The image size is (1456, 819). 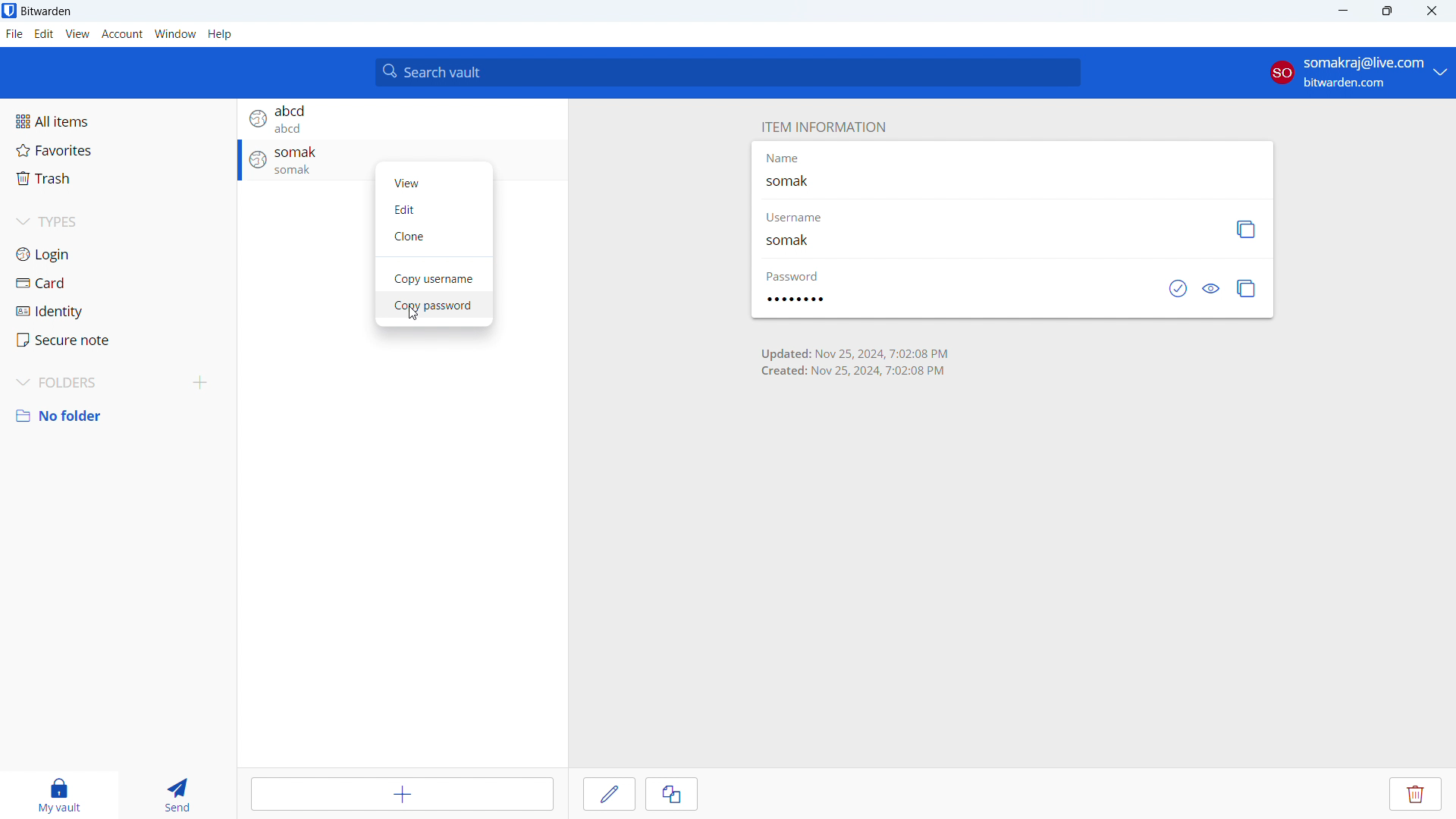 I want to click on cursor, so click(x=411, y=315).